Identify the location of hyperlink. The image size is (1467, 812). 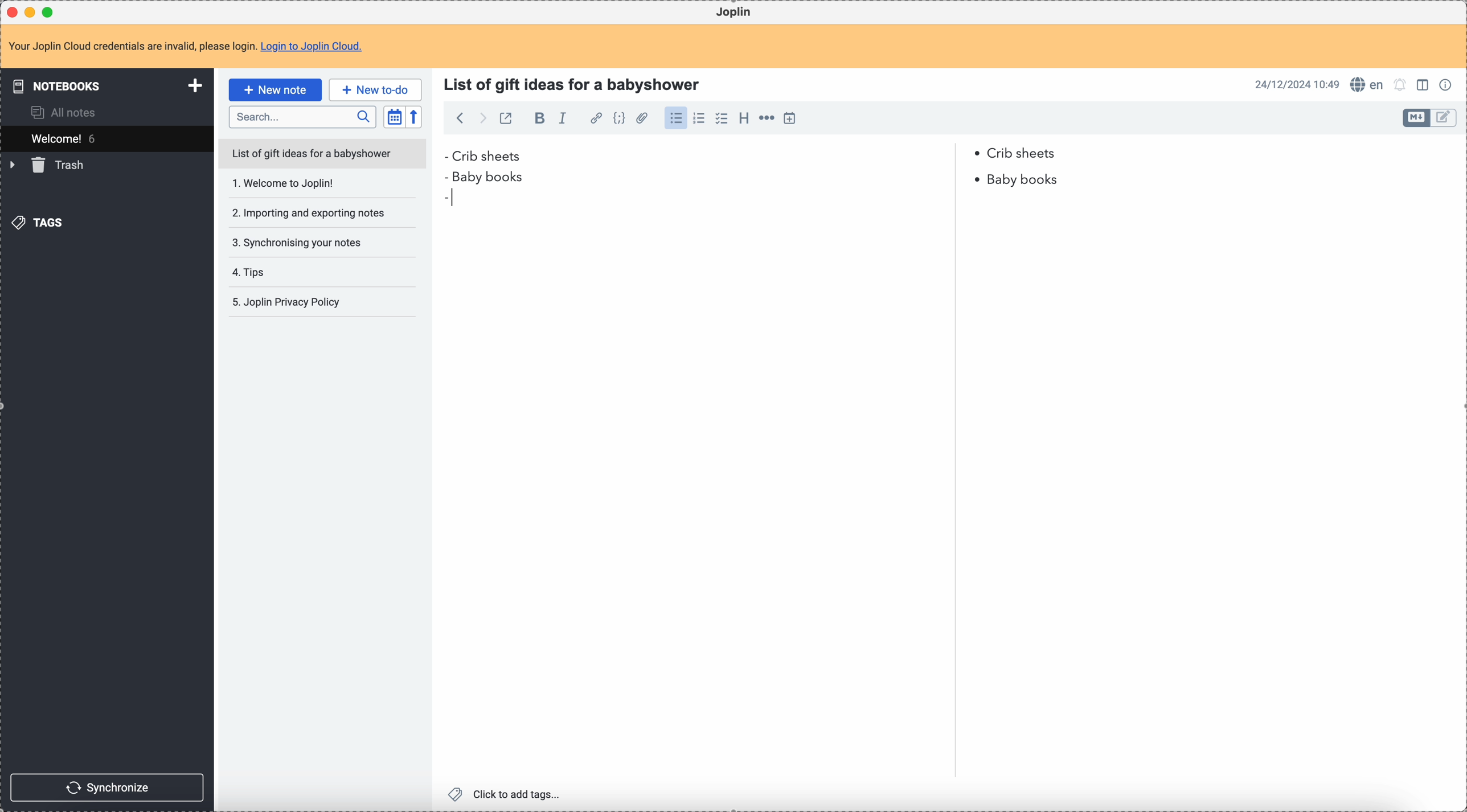
(596, 119).